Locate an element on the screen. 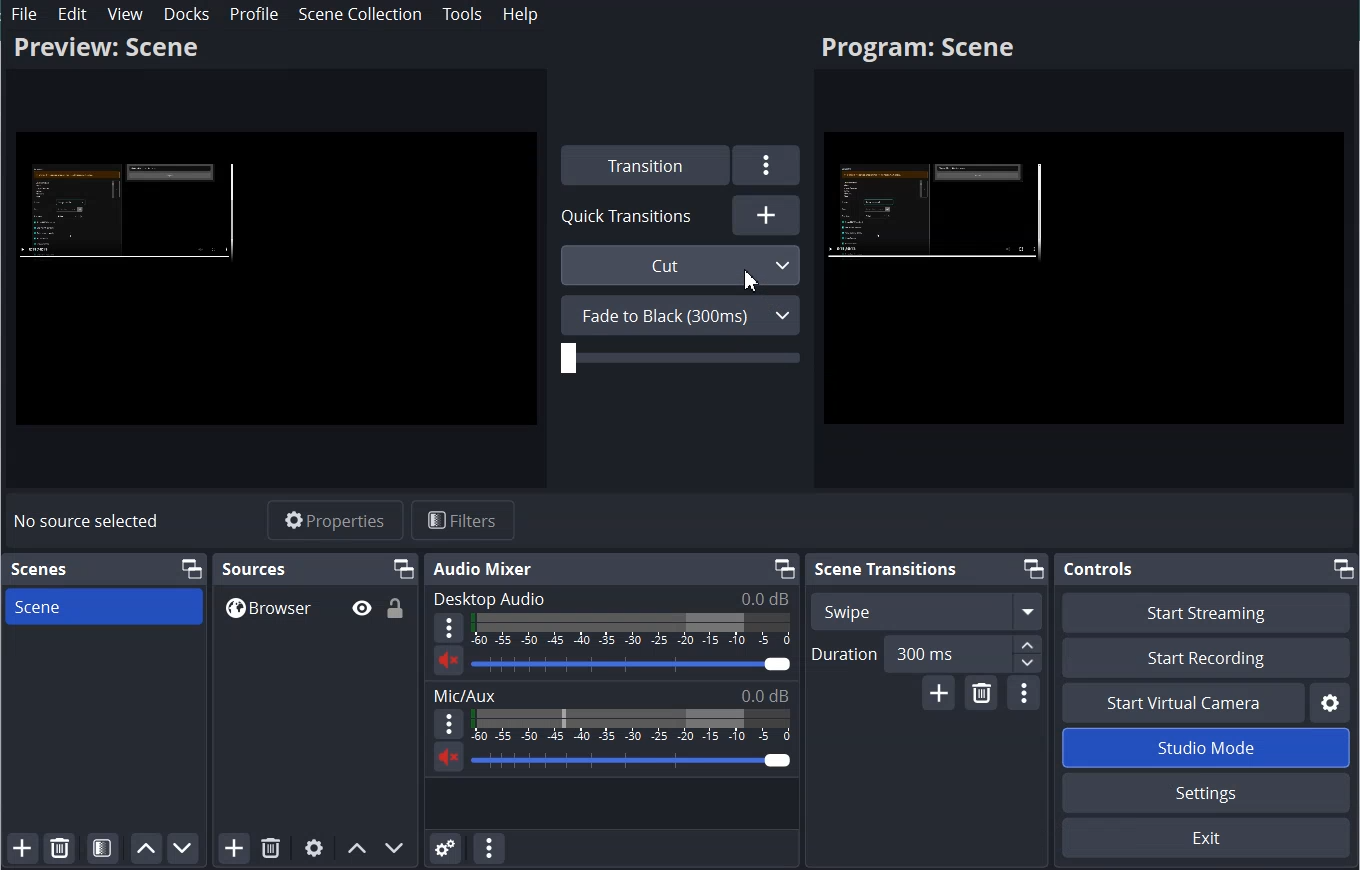 The height and width of the screenshot is (870, 1360). Add Configurable Transition is located at coordinates (939, 694).